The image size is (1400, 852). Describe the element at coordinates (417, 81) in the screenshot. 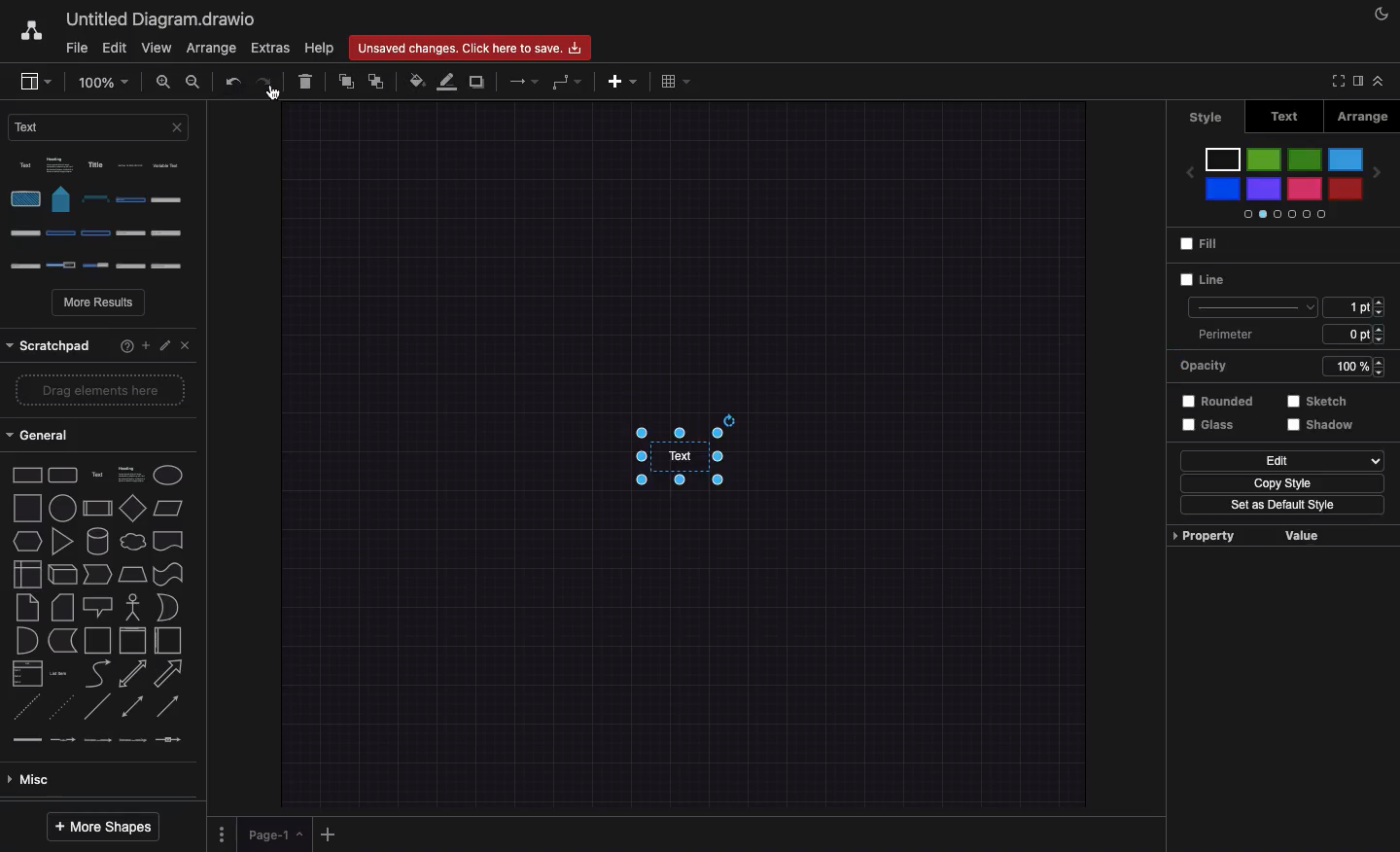

I see `Fill color` at that location.